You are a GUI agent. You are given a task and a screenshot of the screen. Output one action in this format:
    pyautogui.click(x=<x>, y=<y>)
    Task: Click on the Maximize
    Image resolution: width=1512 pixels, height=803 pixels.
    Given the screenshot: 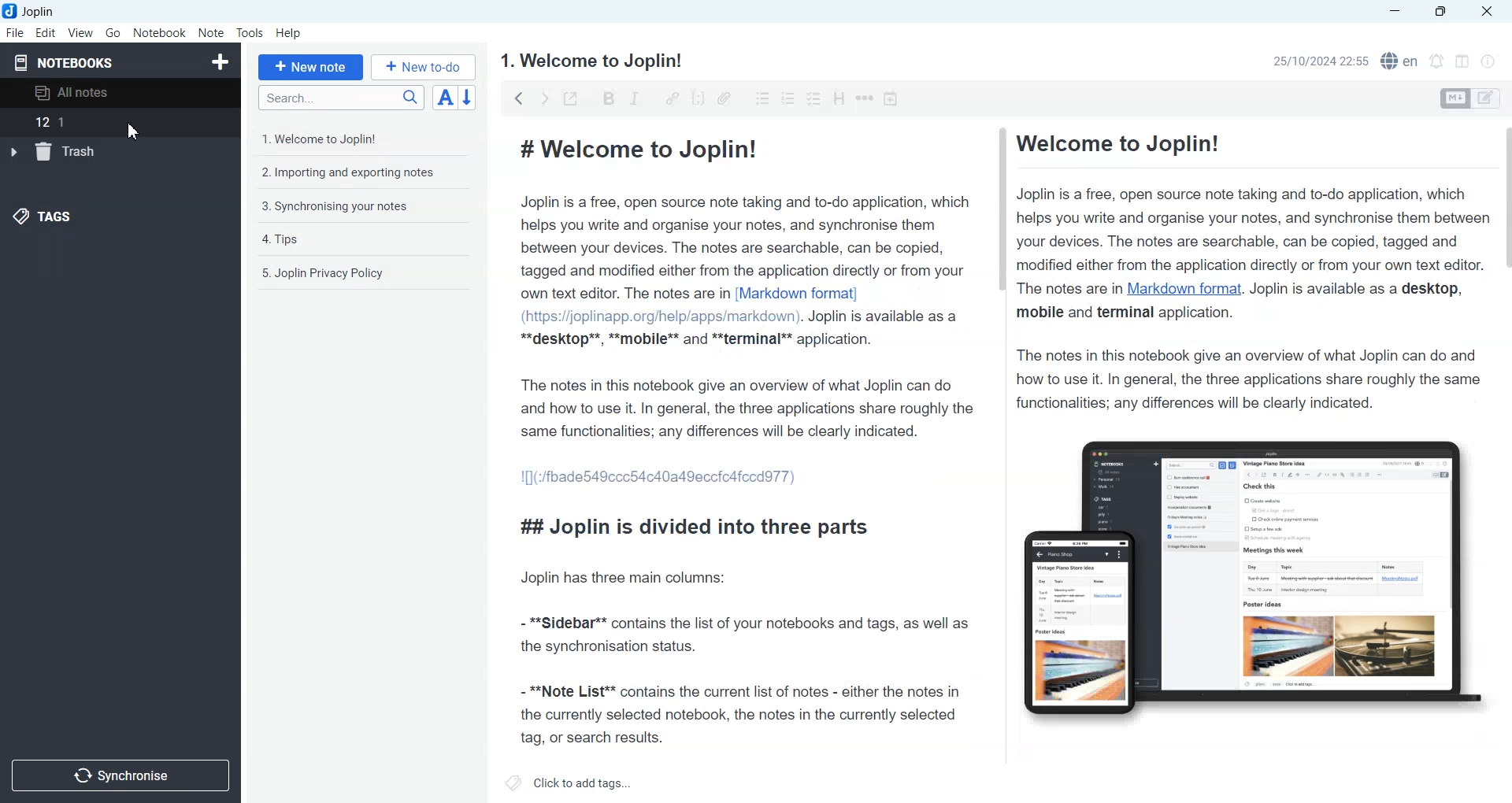 What is the action you would take?
    pyautogui.click(x=1443, y=12)
    